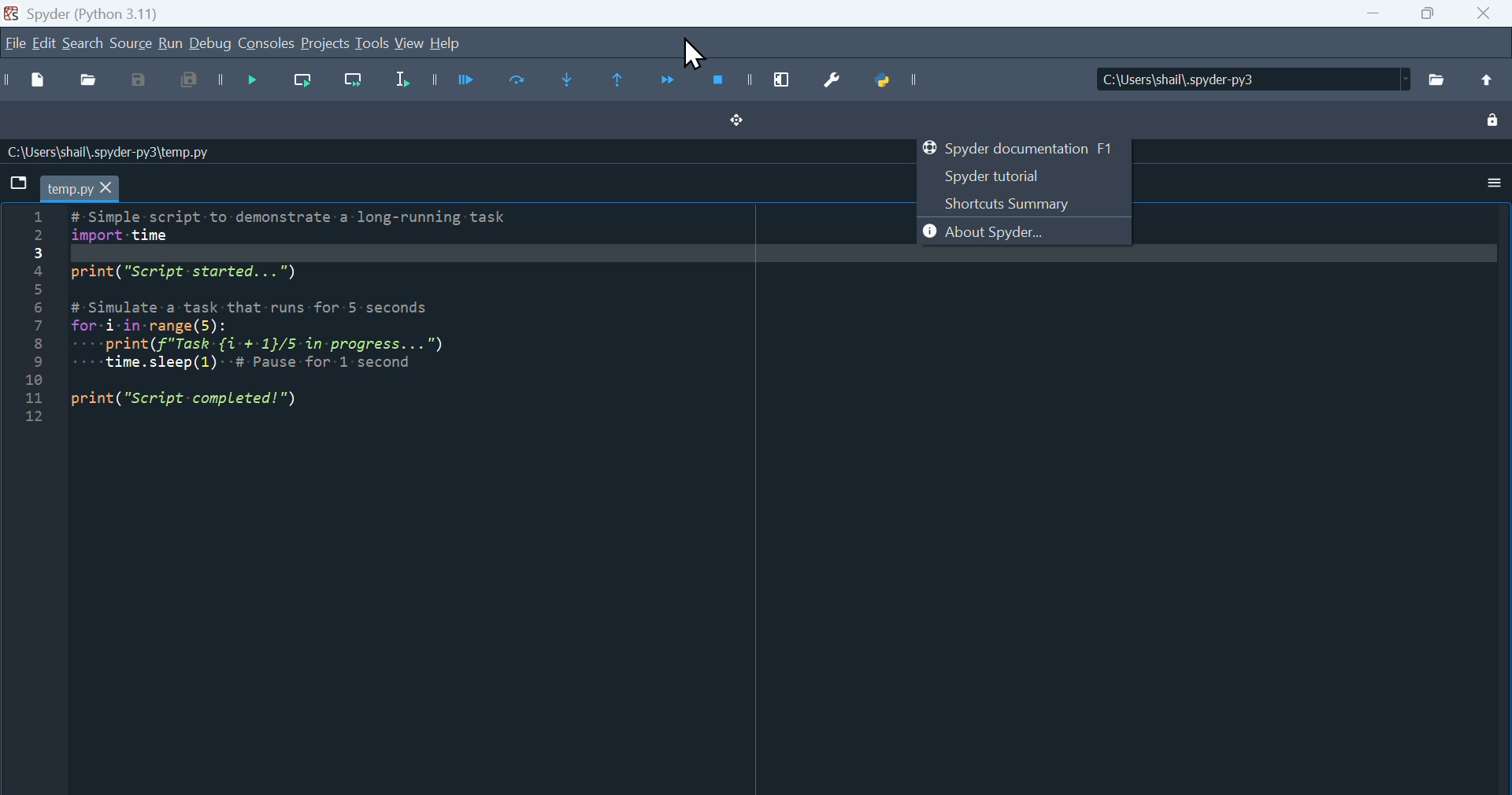 This screenshot has height=795, width=1512. I want to click on Run current line and go to the next one, so click(354, 83).